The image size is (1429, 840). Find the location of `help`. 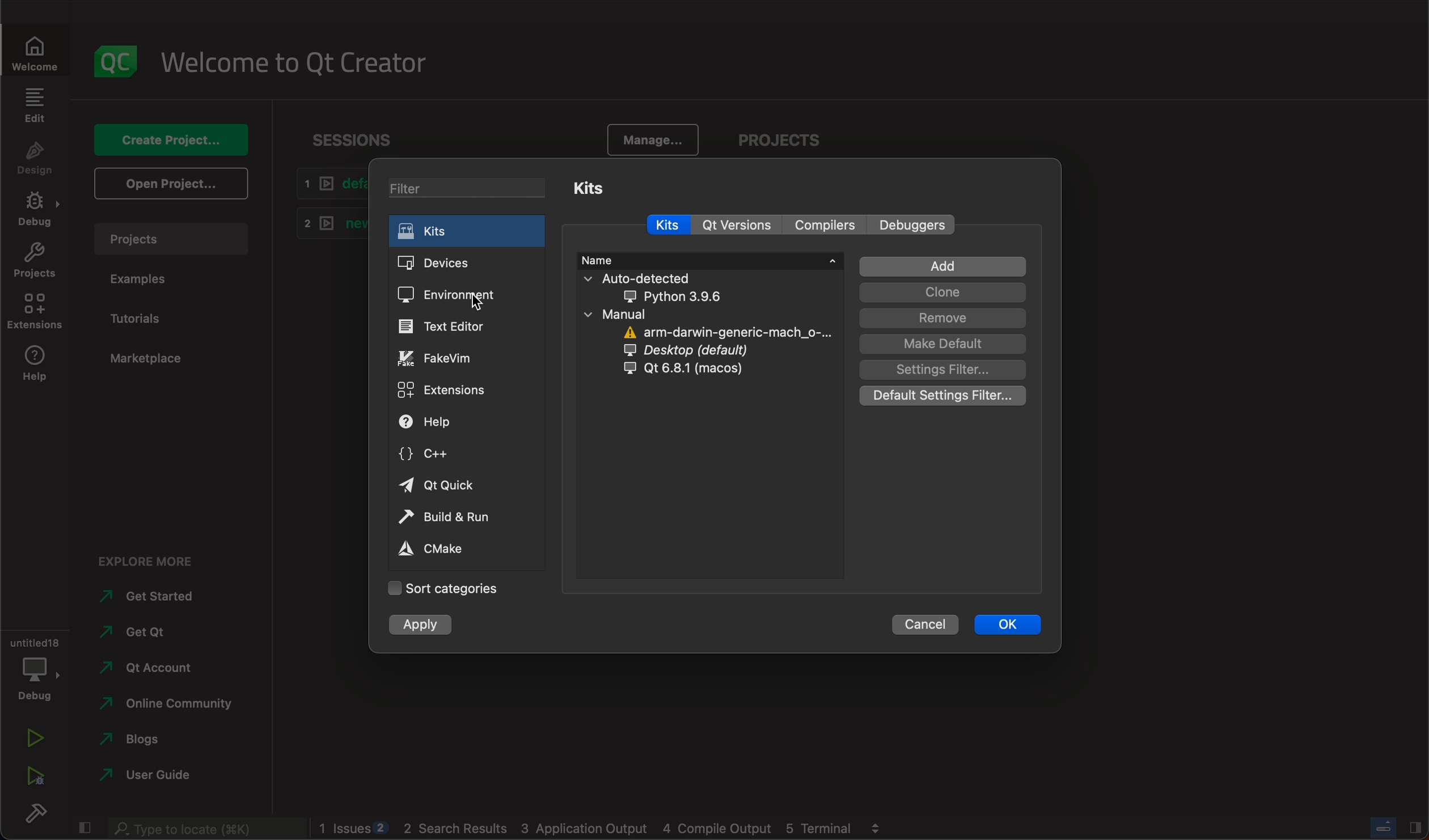

help is located at coordinates (32, 367).